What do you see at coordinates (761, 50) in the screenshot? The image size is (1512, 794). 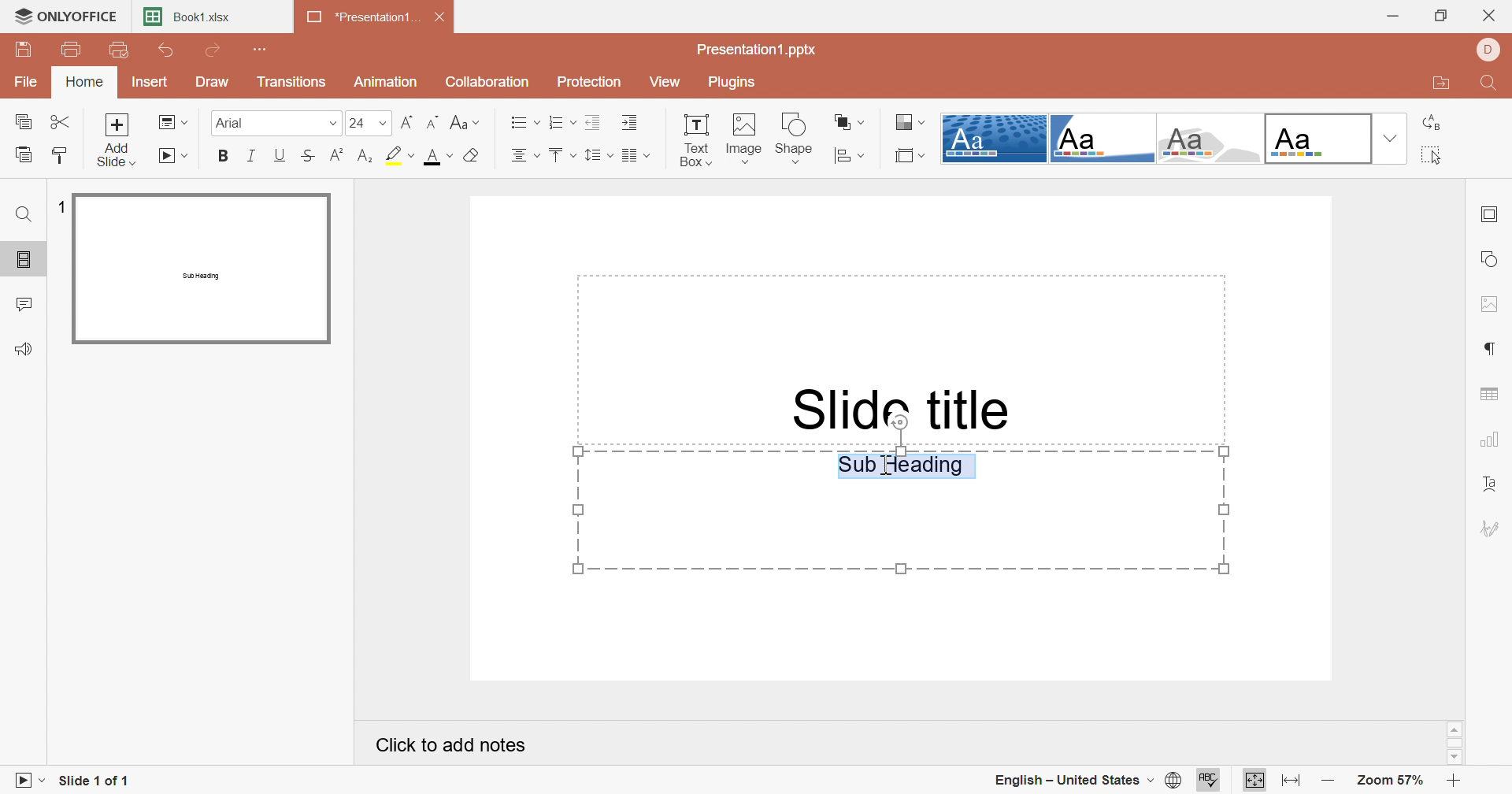 I see `Presentation1.pptx` at bounding box center [761, 50].